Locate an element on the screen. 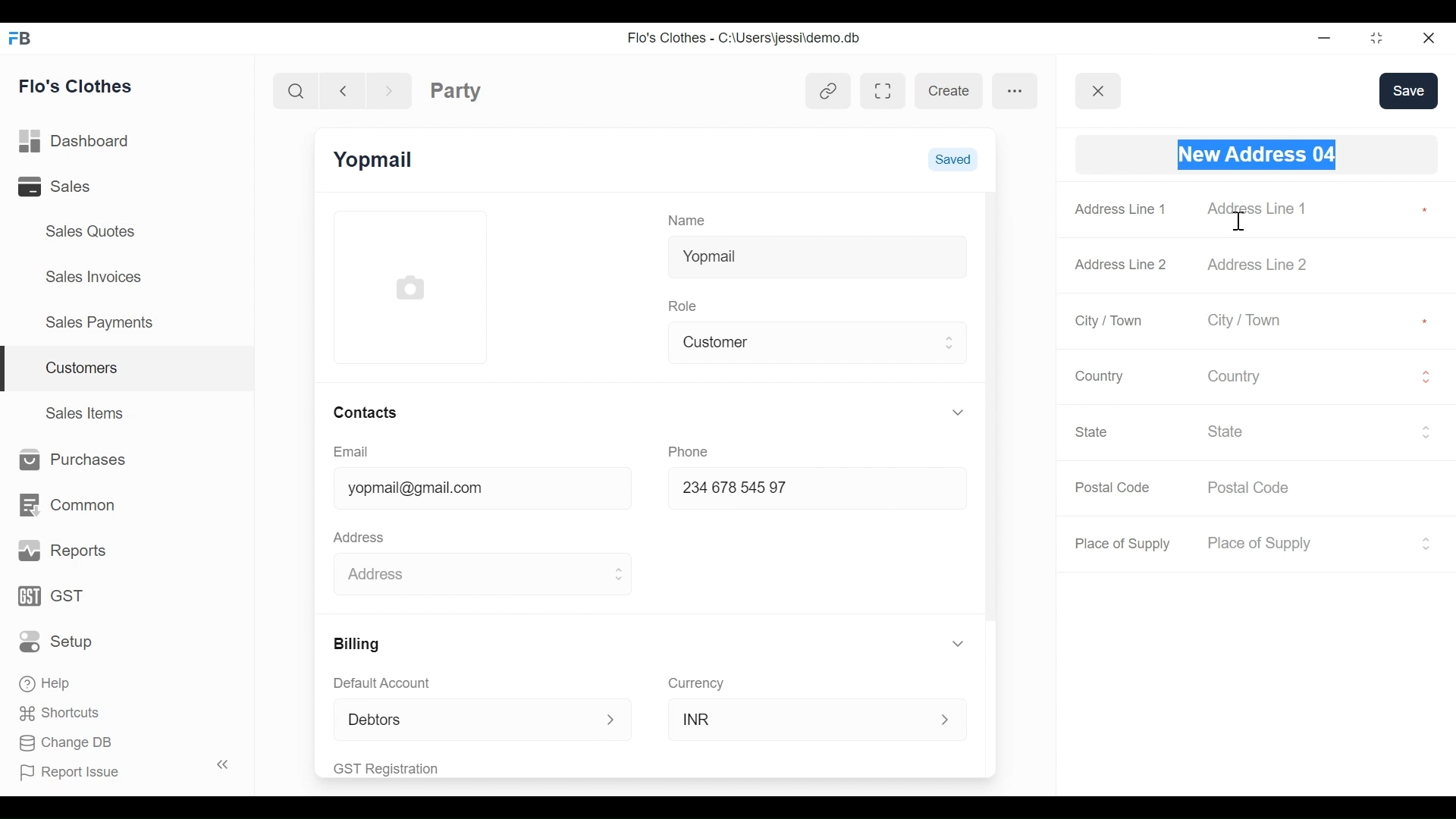 This screenshot has height=819, width=1456. Frappe Books Desktop Icon is located at coordinates (18, 39).